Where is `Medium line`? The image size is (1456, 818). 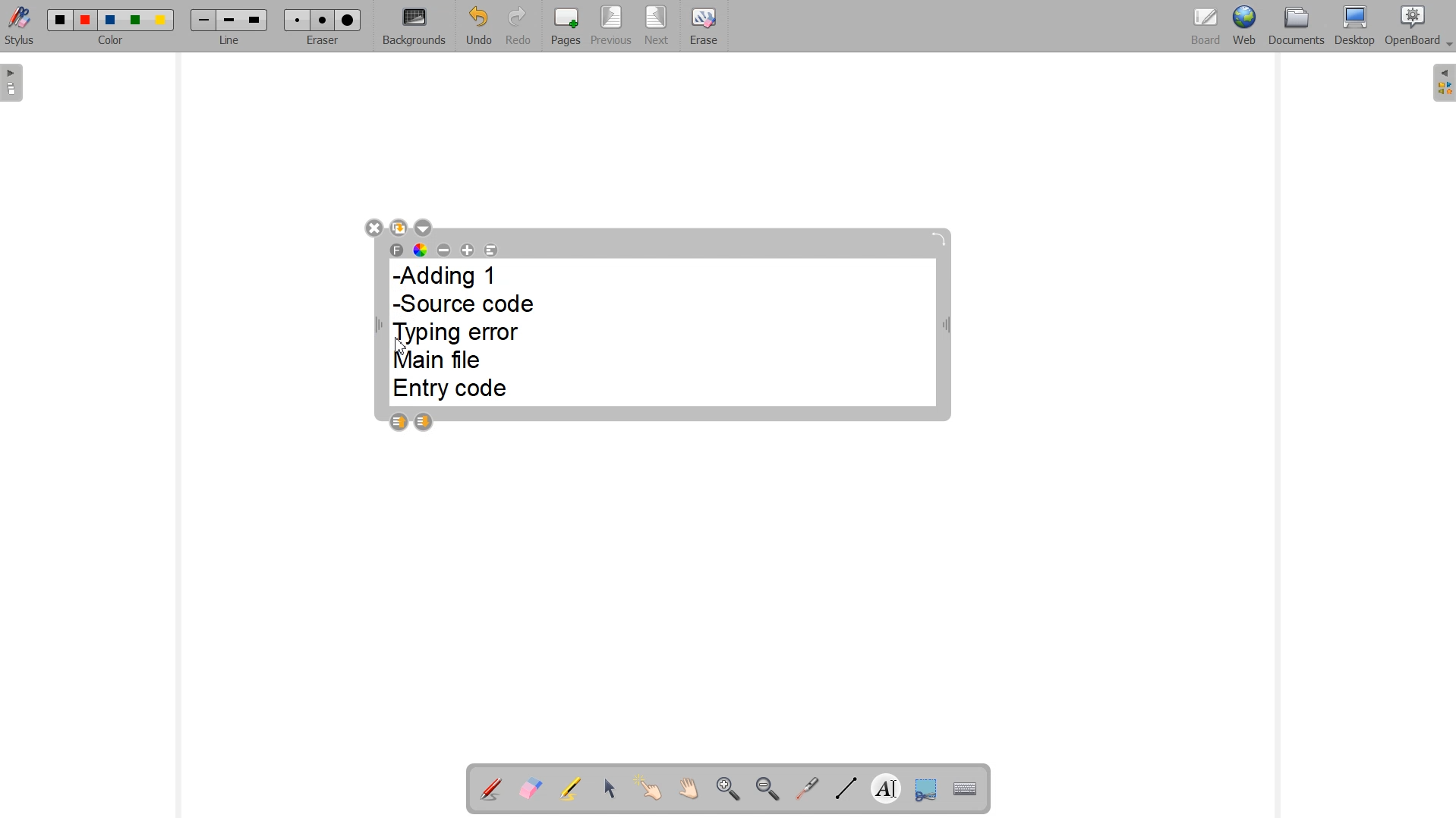
Medium line is located at coordinates (230, 20).